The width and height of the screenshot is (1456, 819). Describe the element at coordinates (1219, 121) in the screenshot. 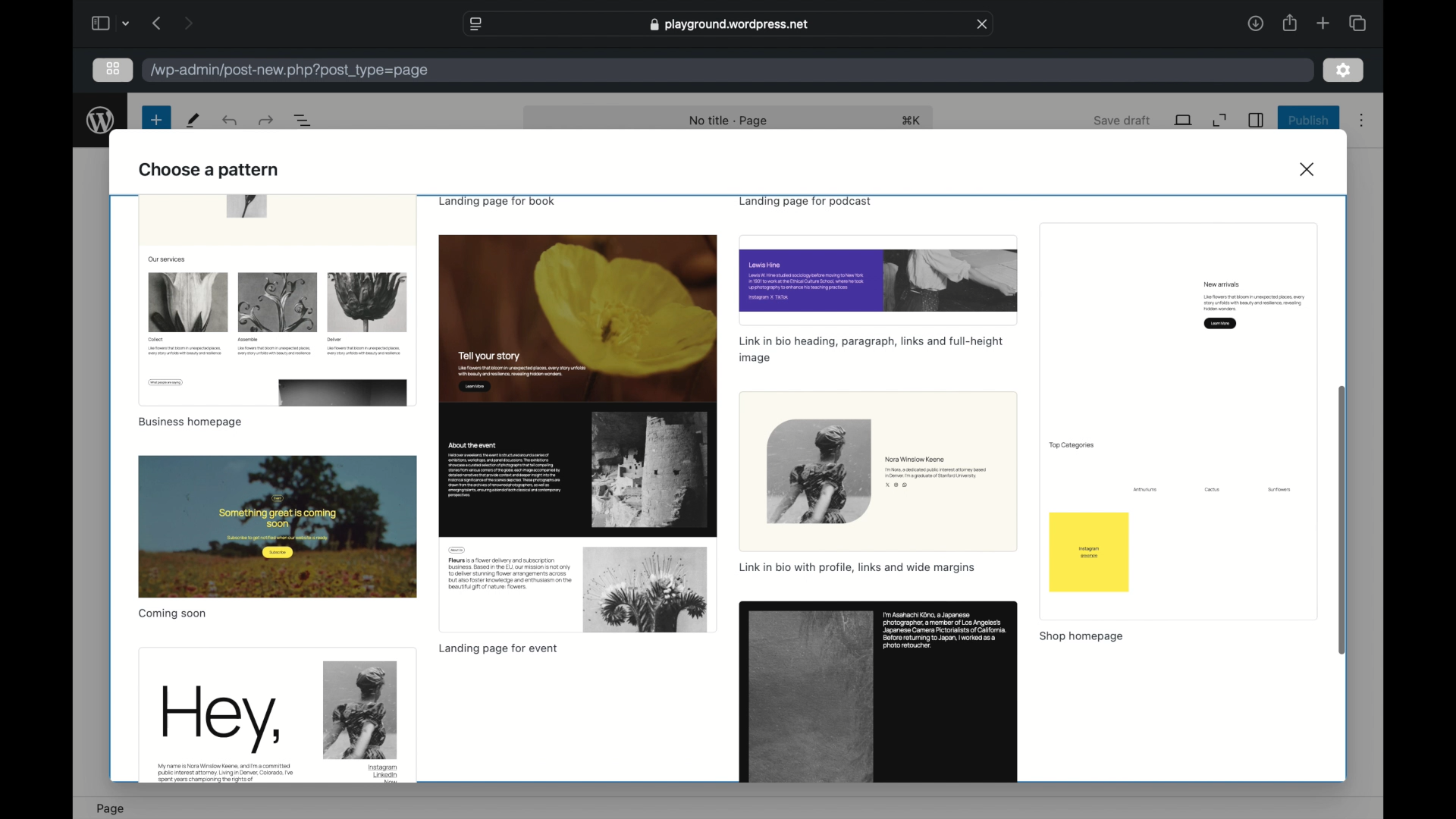

I see `expand` at that location.